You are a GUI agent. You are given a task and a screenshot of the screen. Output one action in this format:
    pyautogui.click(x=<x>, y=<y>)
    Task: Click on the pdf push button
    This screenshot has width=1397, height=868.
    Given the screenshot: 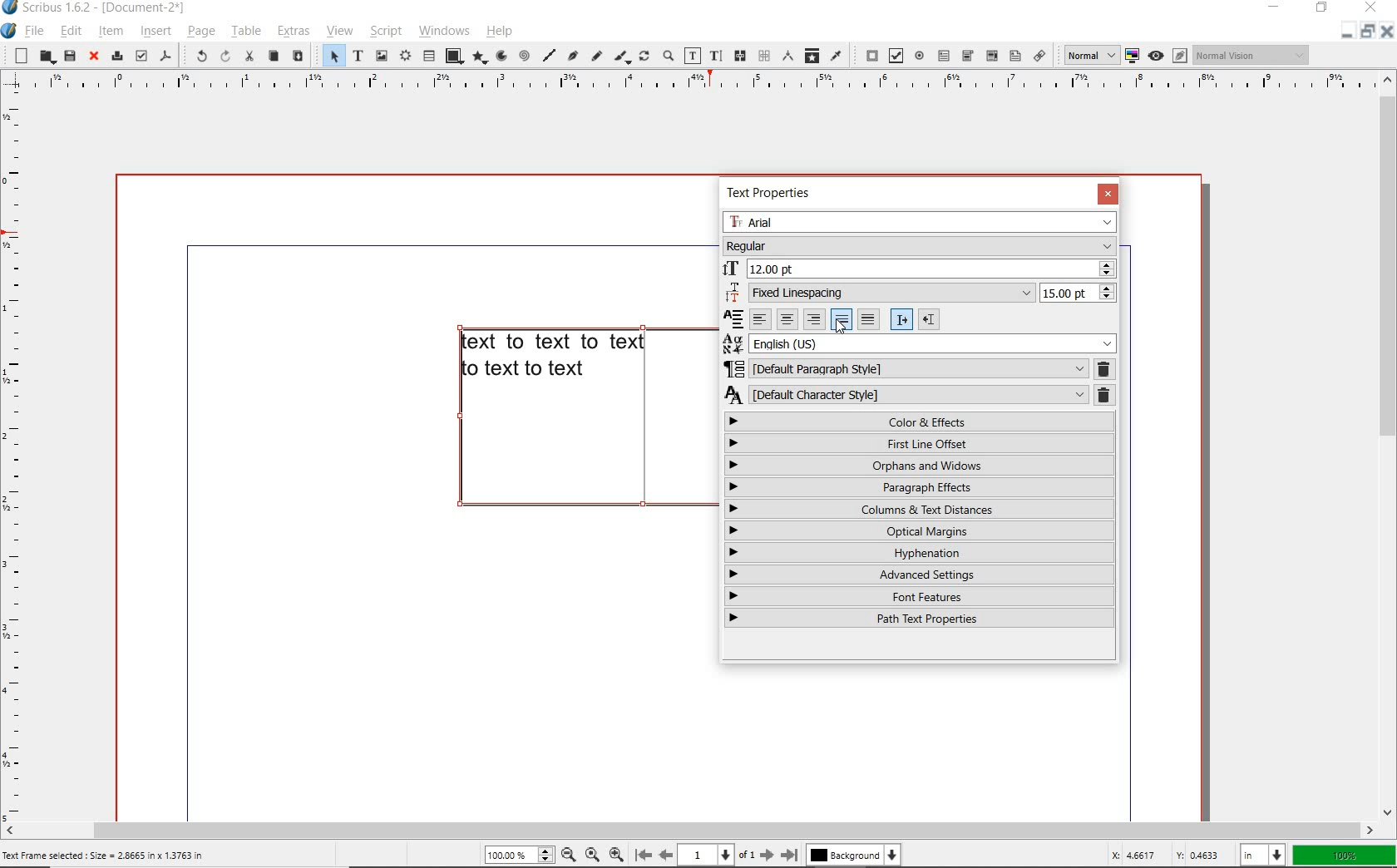 What is the action you would take?
    pyautogui.click(x=866, y=55)
    